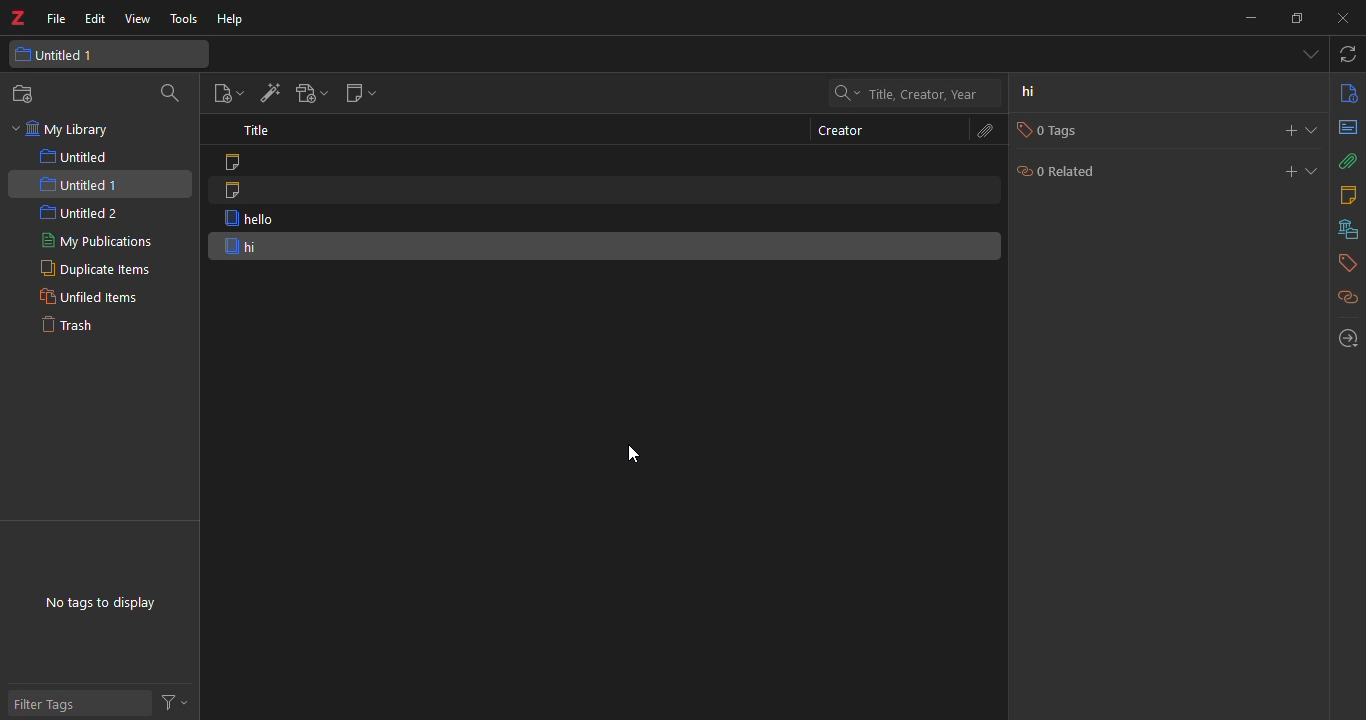 Image resolution: width=1366 pixels, height=720 pixels. Describe the element at coordinates (171, 95) in the screenshot. I see `search` at that location.